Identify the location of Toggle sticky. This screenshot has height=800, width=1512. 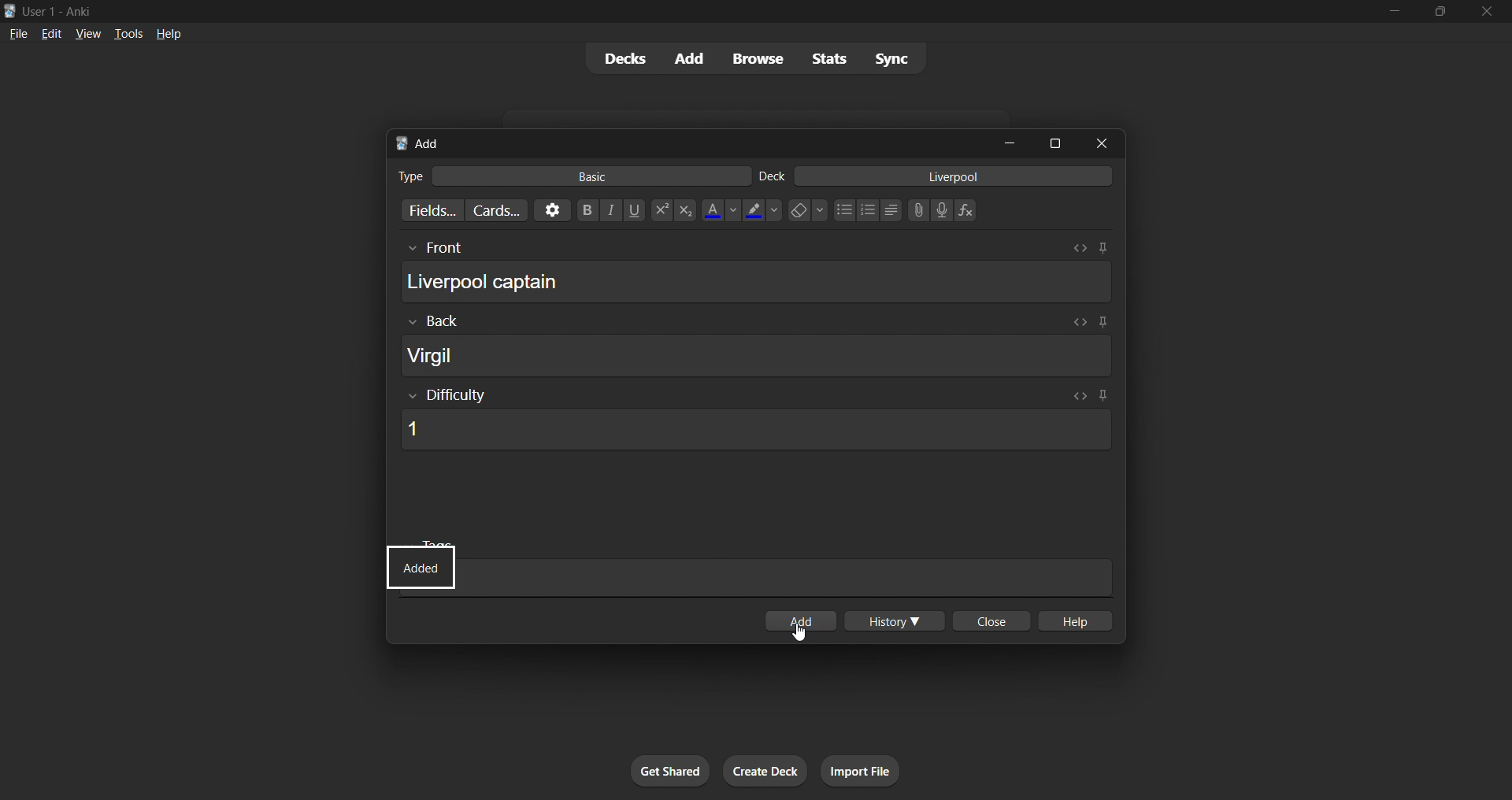
(1102, 248).